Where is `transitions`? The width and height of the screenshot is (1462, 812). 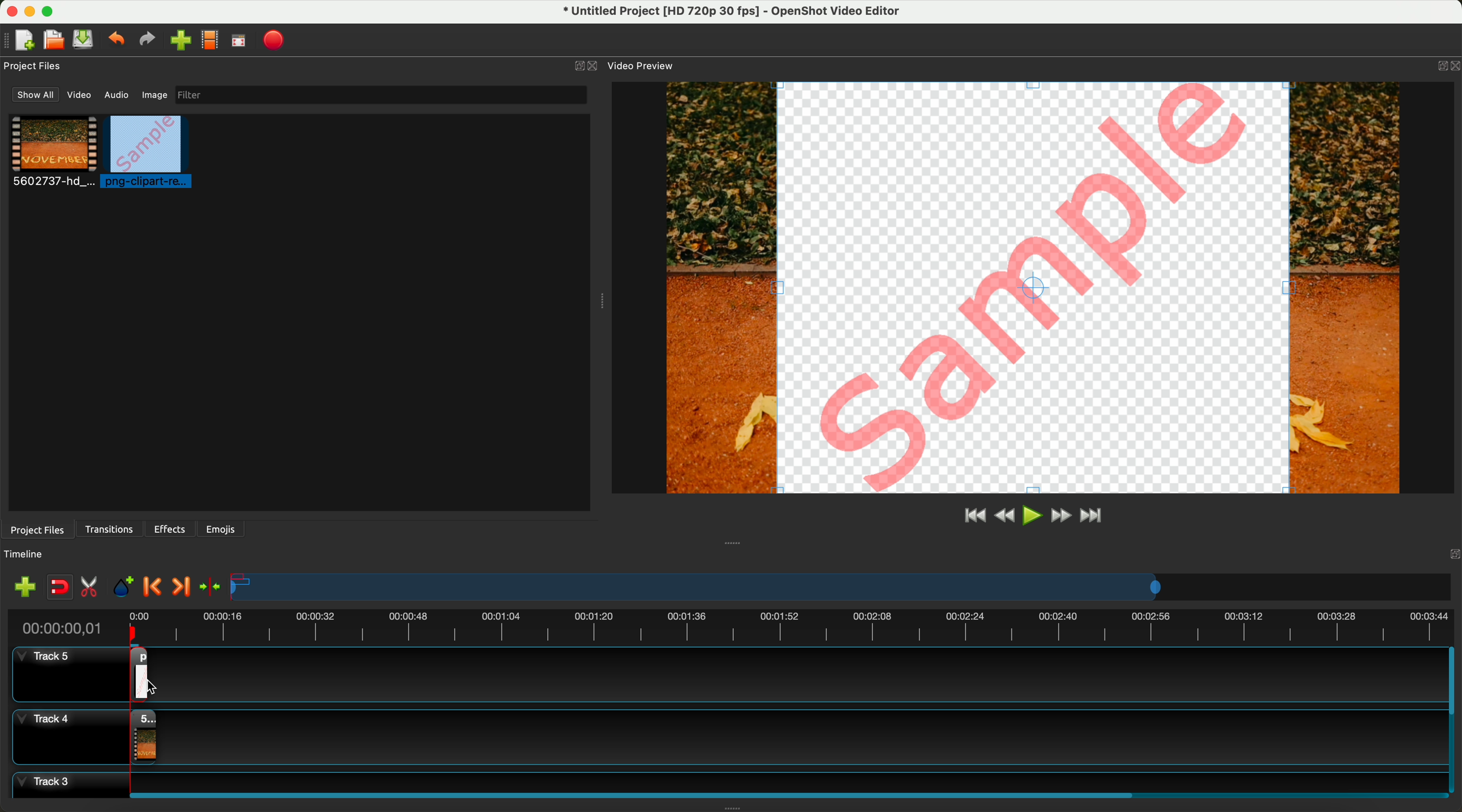
transitions is located at coordinates (111, 529).